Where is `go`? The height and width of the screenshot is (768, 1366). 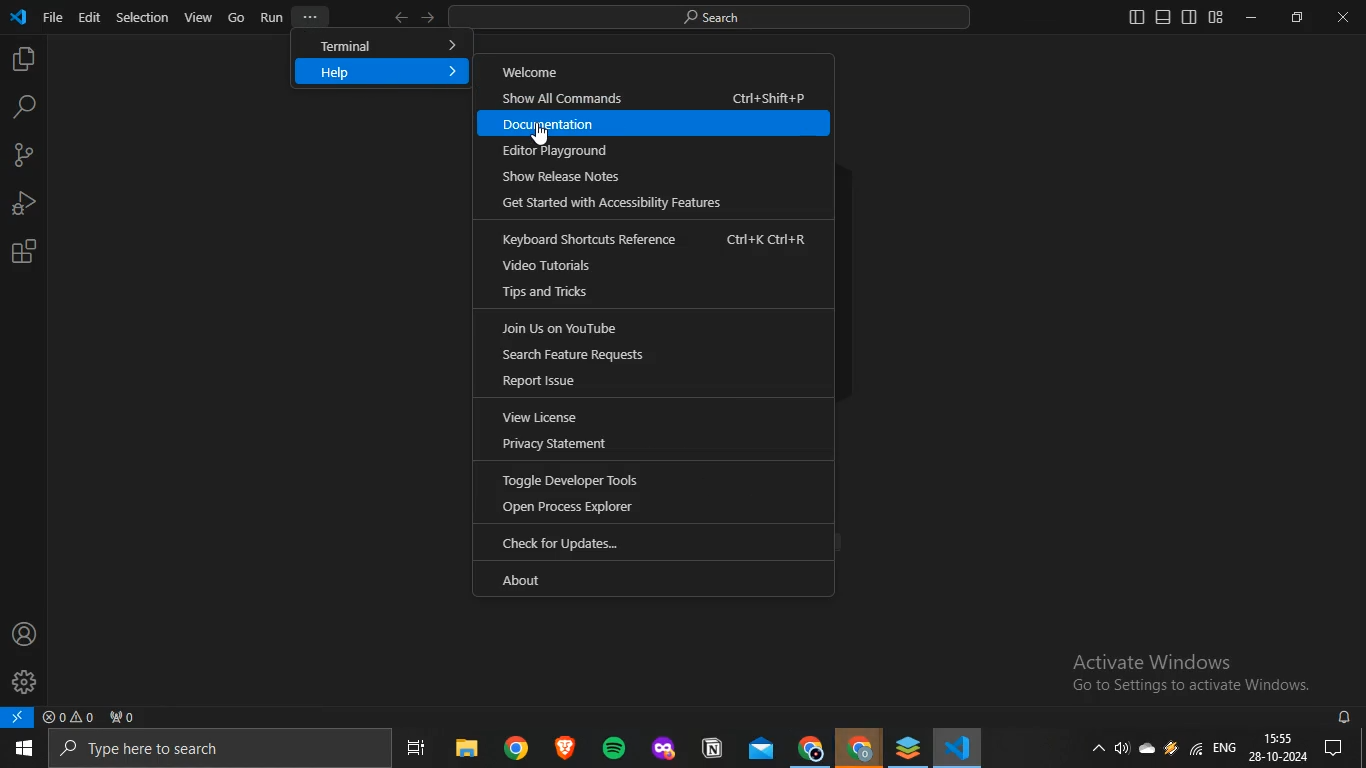 go is located at coordinates (237, 17).